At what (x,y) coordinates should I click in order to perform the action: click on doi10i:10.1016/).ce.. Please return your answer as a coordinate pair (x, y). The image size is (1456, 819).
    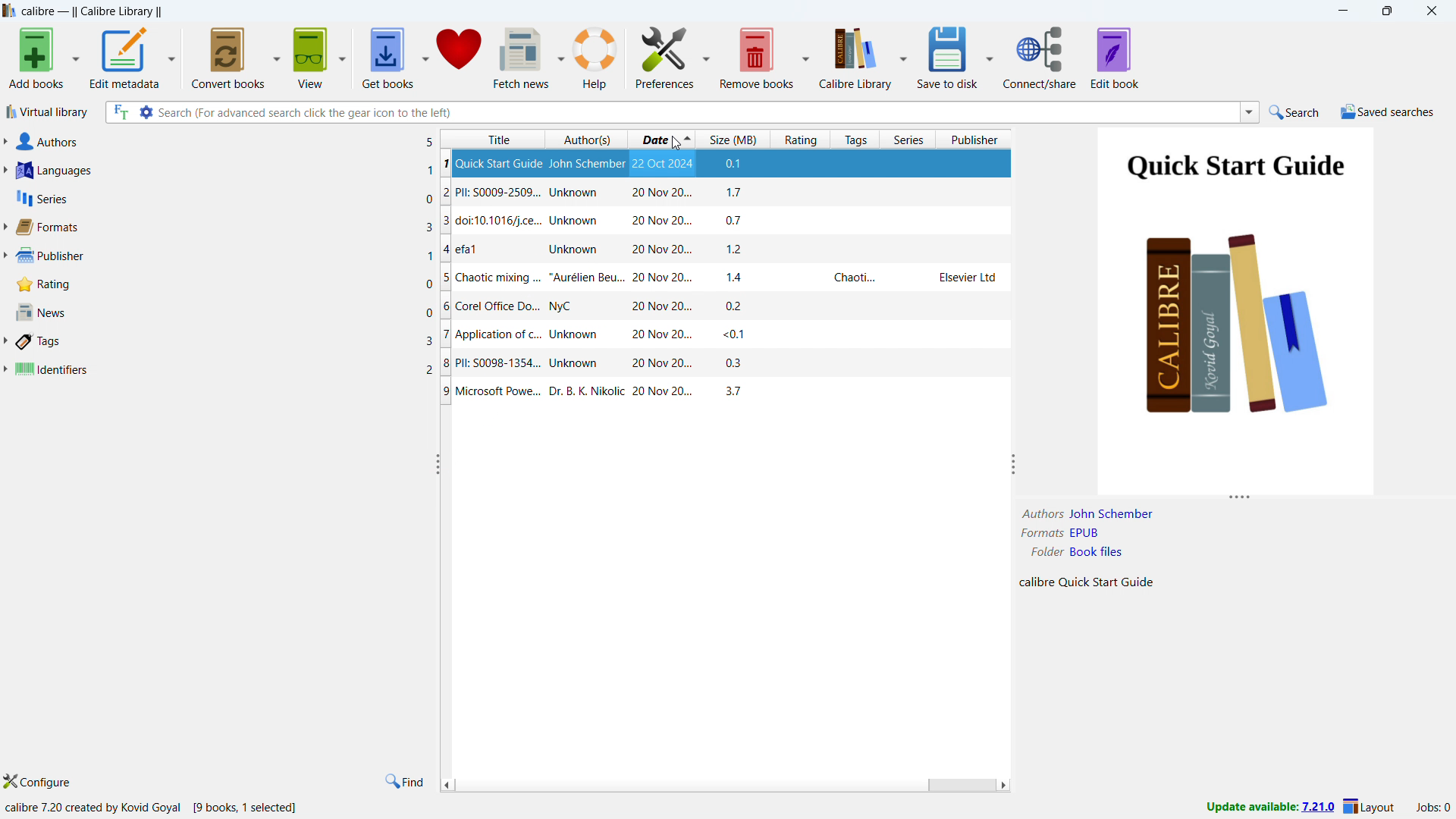
    Looking at the image, I should click on (491, 193).